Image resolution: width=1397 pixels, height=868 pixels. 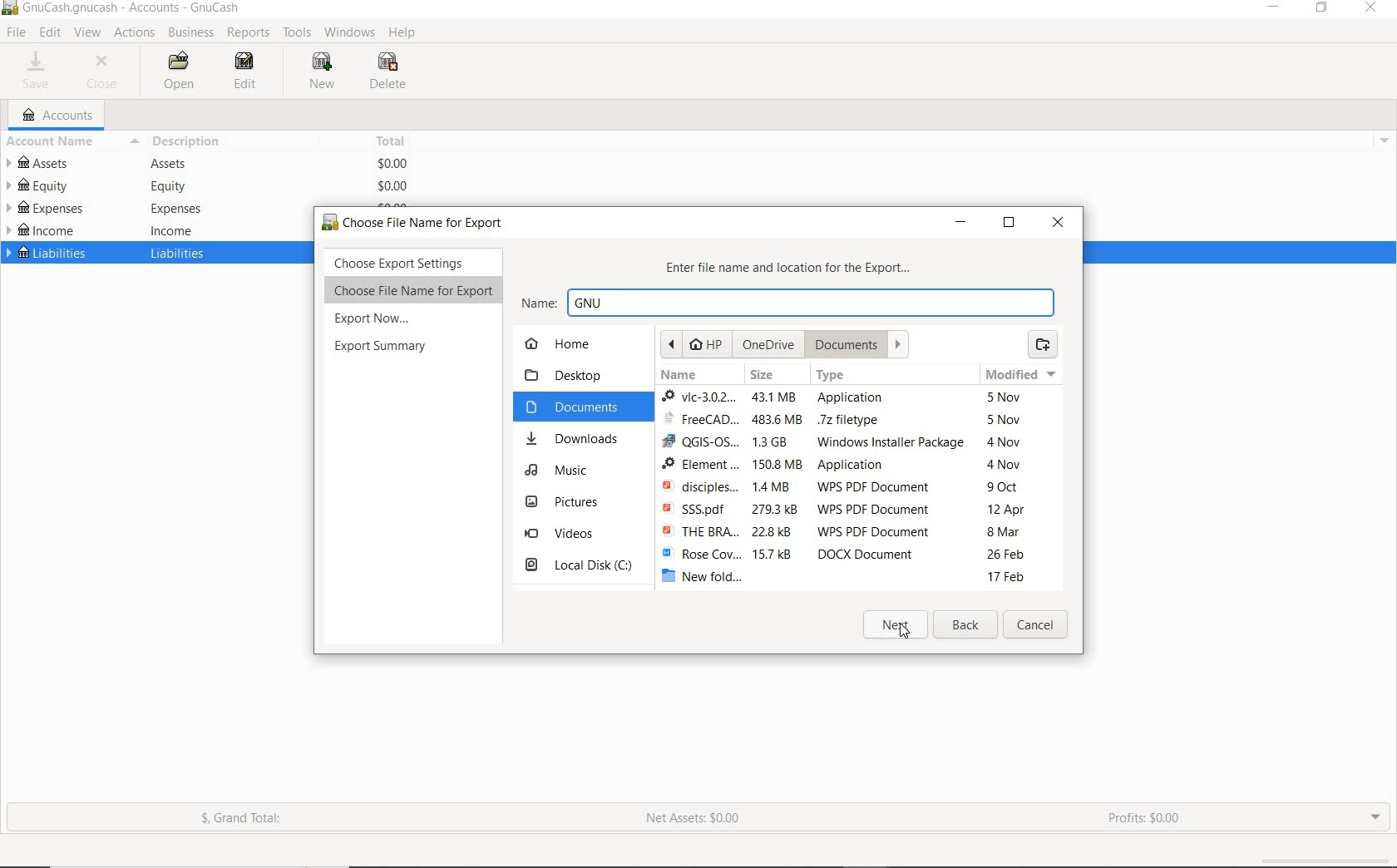 What do you see at coordinates (49, 143) in the screenshot?
I see `ACCOUNT NAME` at bounding box center [49, 143].